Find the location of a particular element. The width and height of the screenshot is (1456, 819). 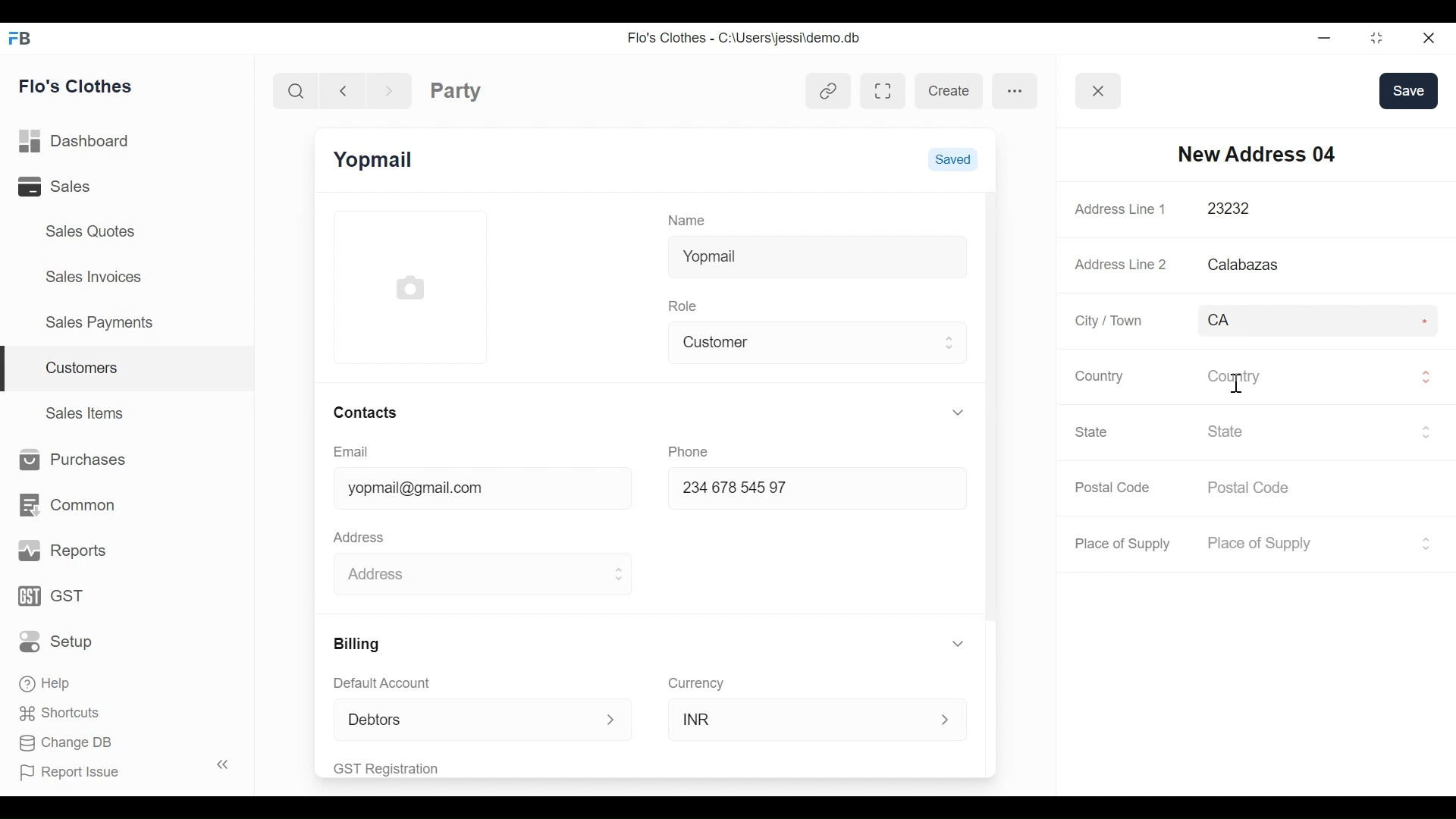

Sales Quotes is located at coordinates (92, 231).